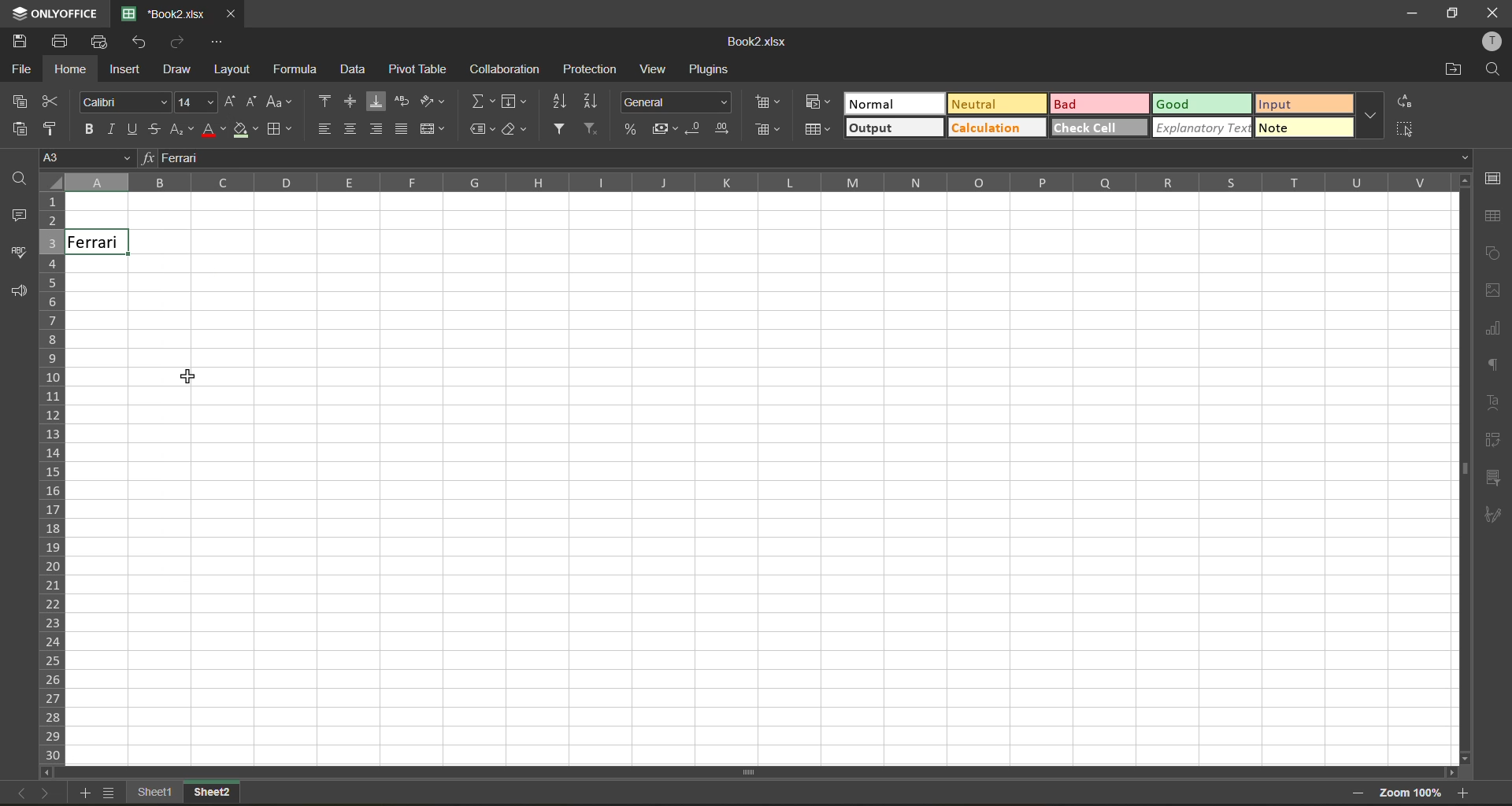 This screenshot has height=806, width=1512. I want to click on images, so click(1494, 290).